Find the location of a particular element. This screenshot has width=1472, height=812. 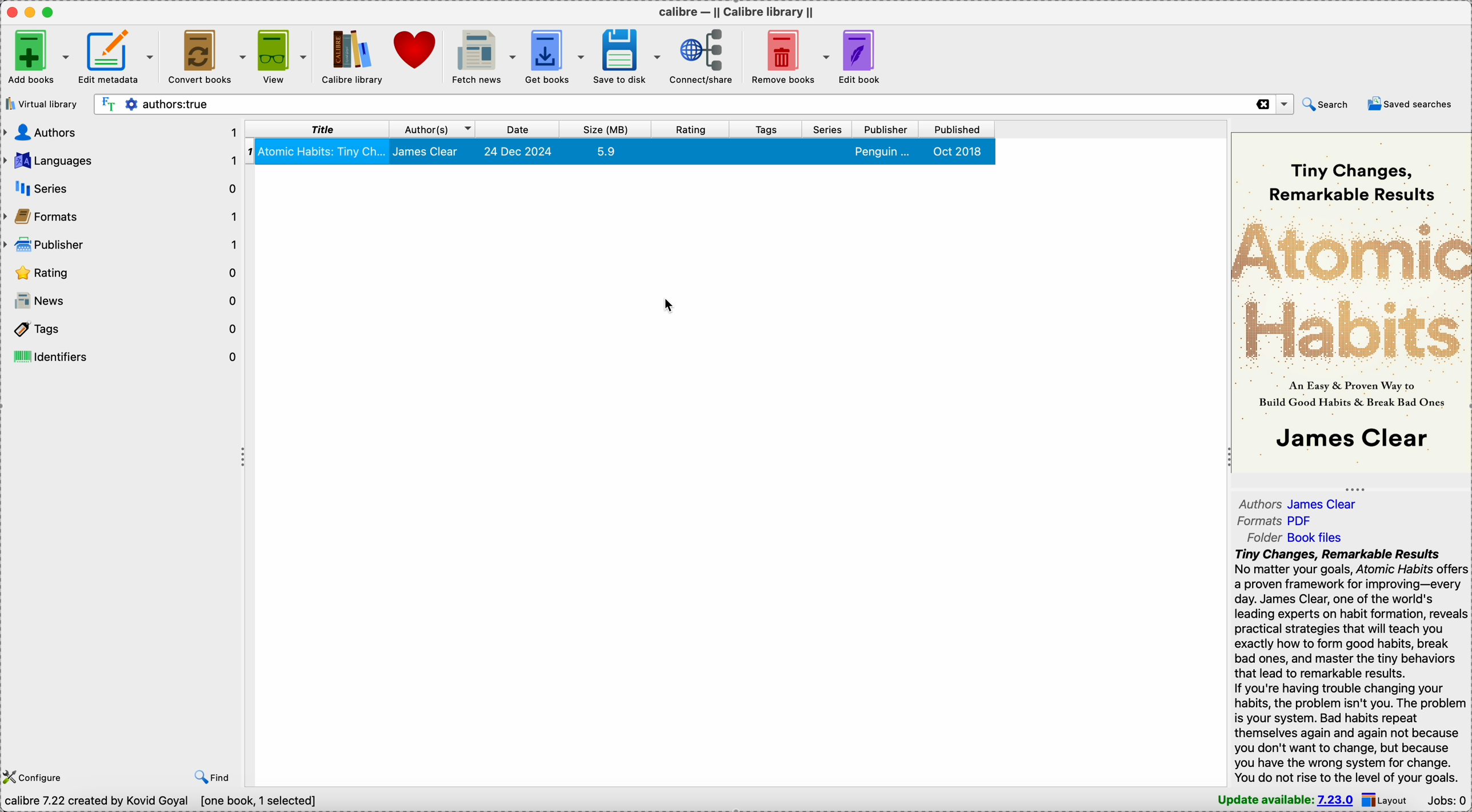

view is located at coordinates (281, 56).